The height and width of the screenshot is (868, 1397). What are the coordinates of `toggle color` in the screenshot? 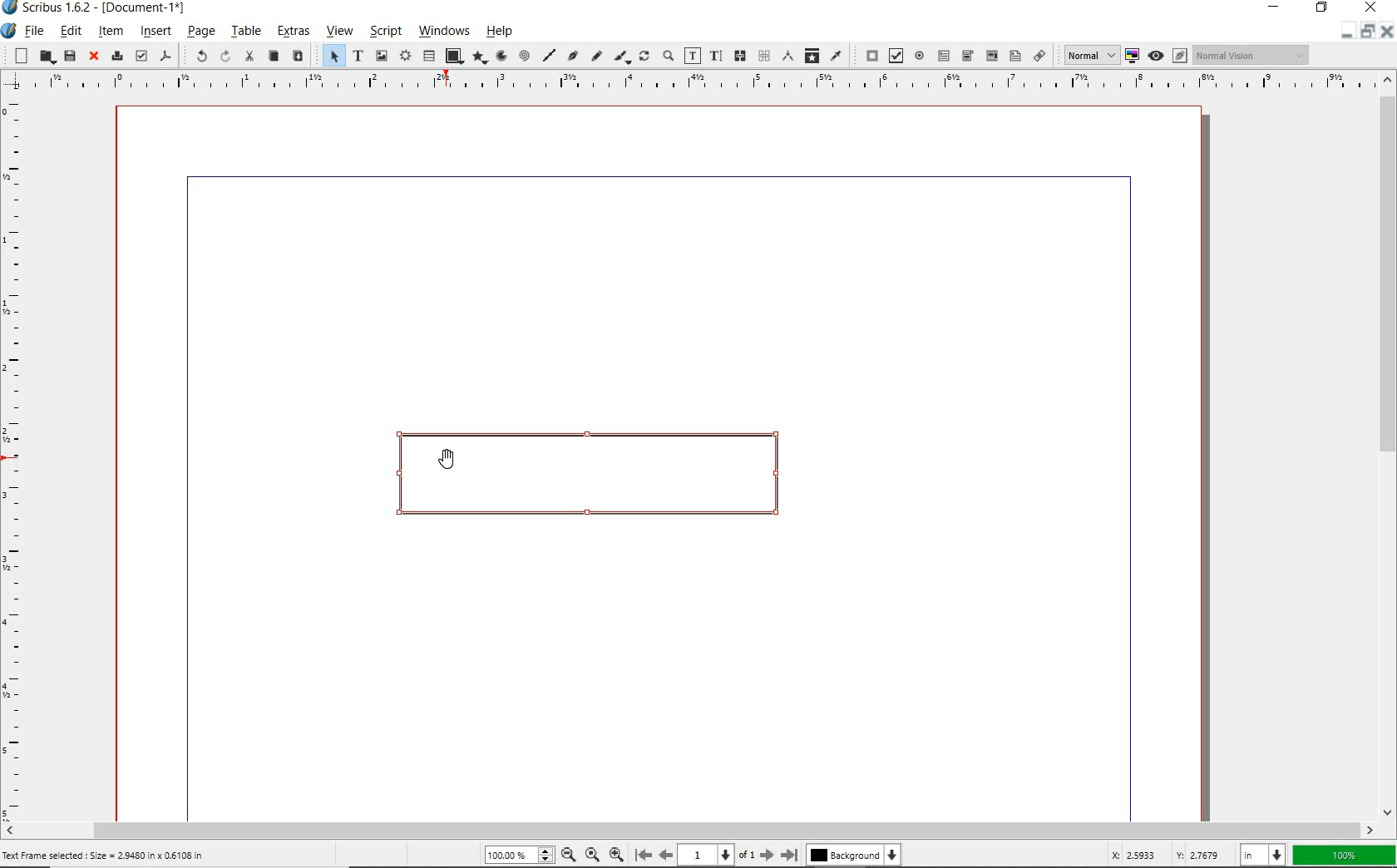 It's located at (1133, 57).